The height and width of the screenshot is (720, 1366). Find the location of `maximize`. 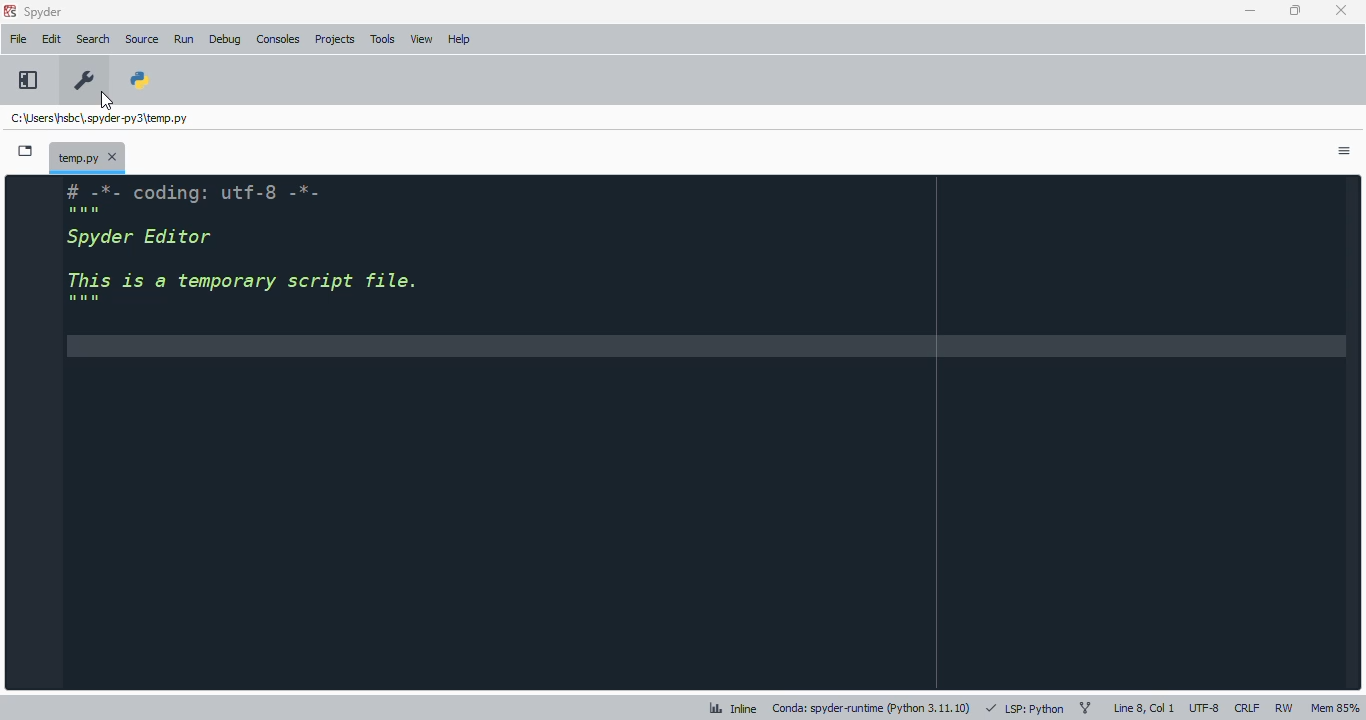

maximize is located at coordinates (1297, 10).